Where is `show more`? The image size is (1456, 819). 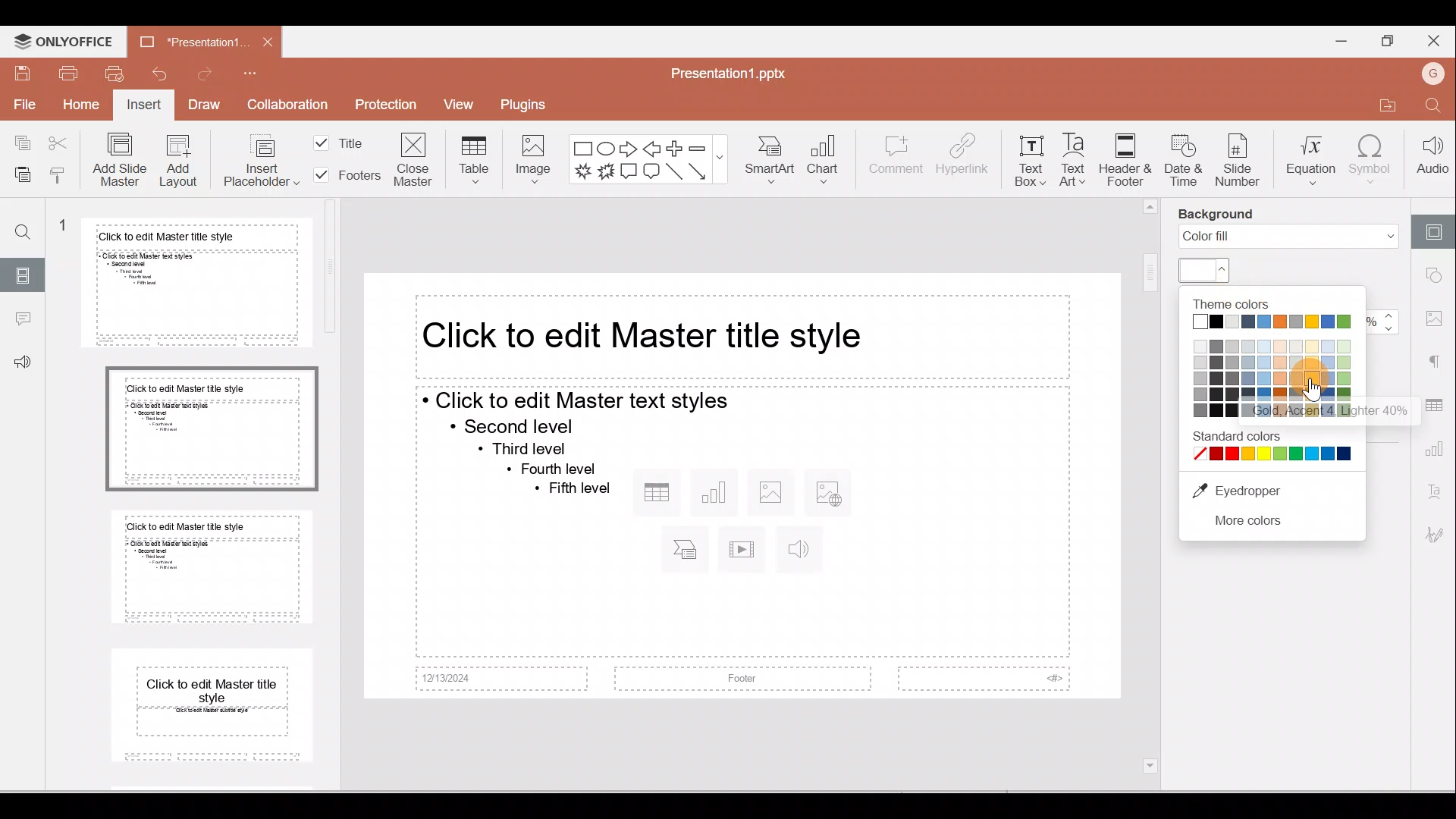
show more is located at coordinates (721, 155).